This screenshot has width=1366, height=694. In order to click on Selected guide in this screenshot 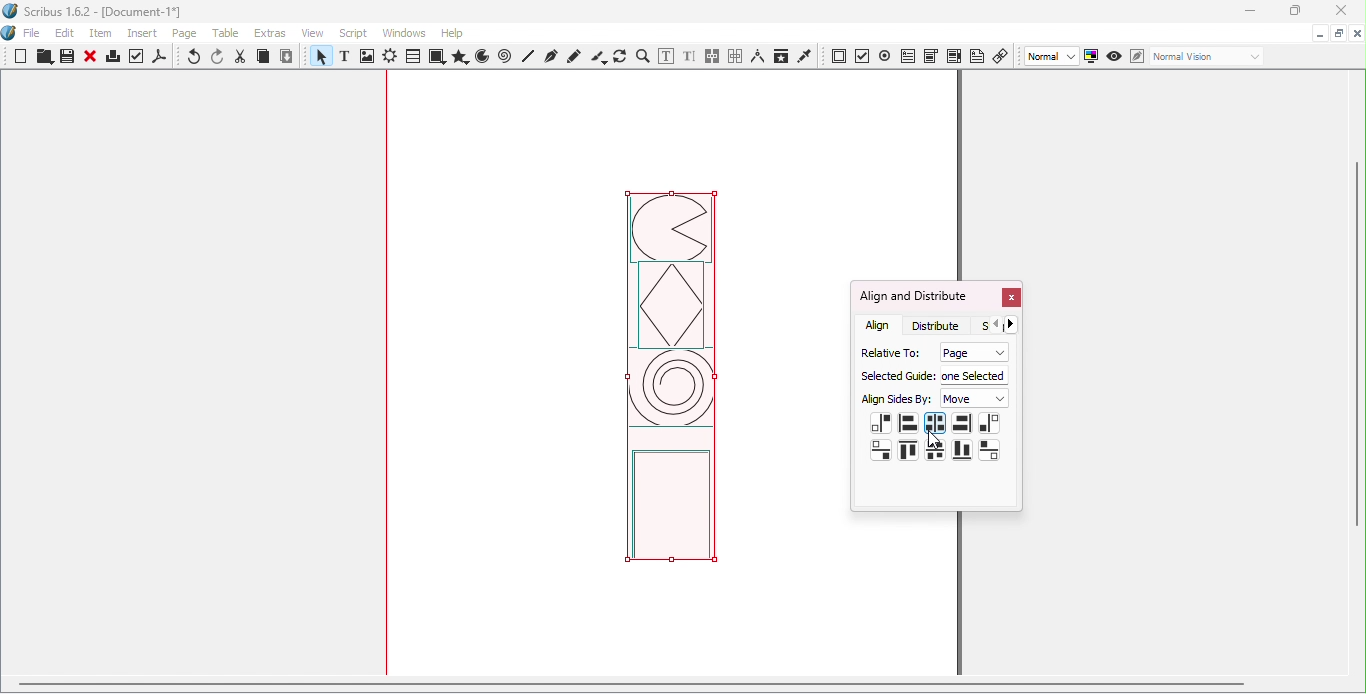, I will do `click(896, 376)`.